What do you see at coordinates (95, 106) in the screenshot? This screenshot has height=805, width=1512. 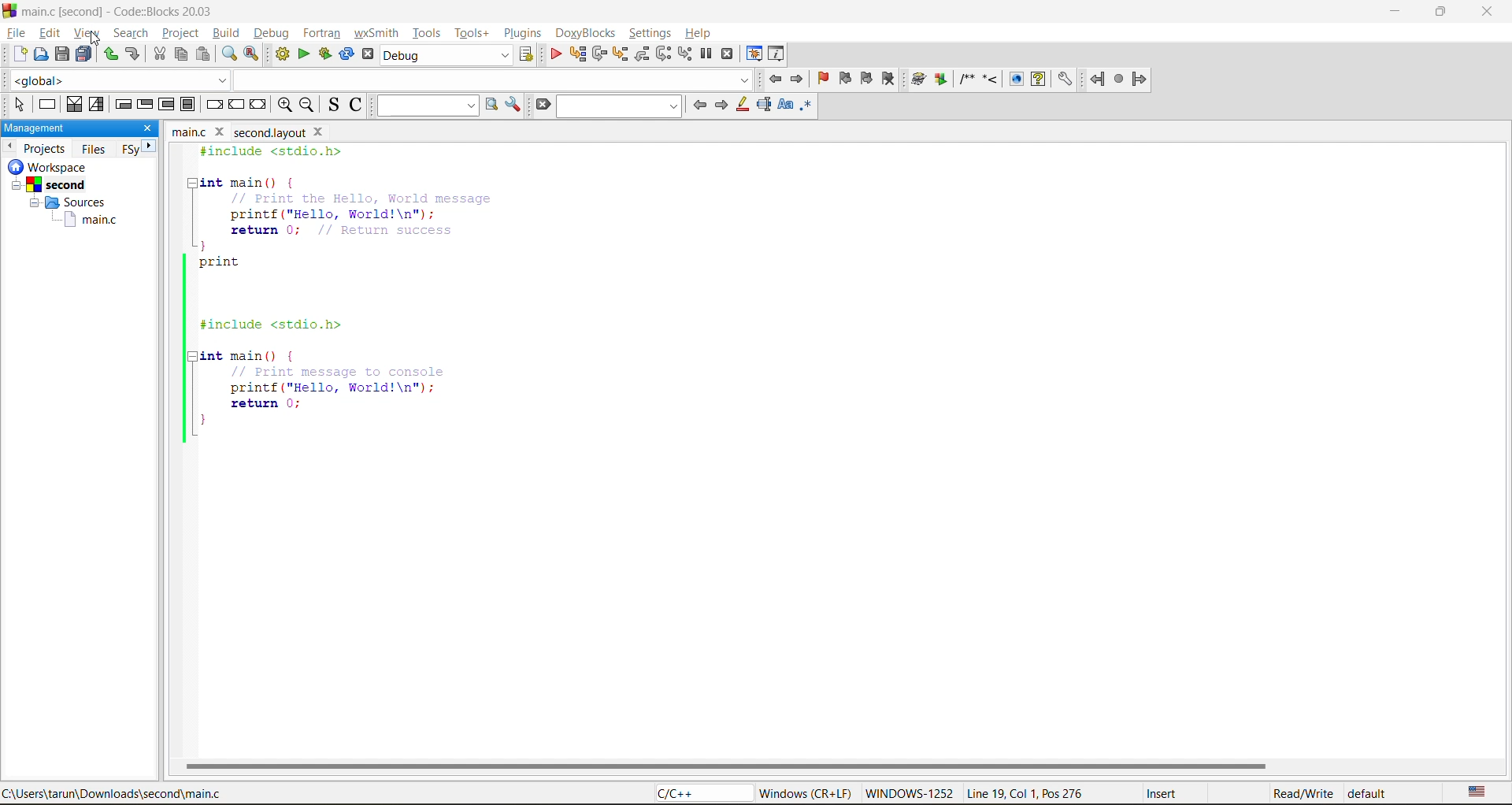 I see `selection` at bounding box center [95, 106].